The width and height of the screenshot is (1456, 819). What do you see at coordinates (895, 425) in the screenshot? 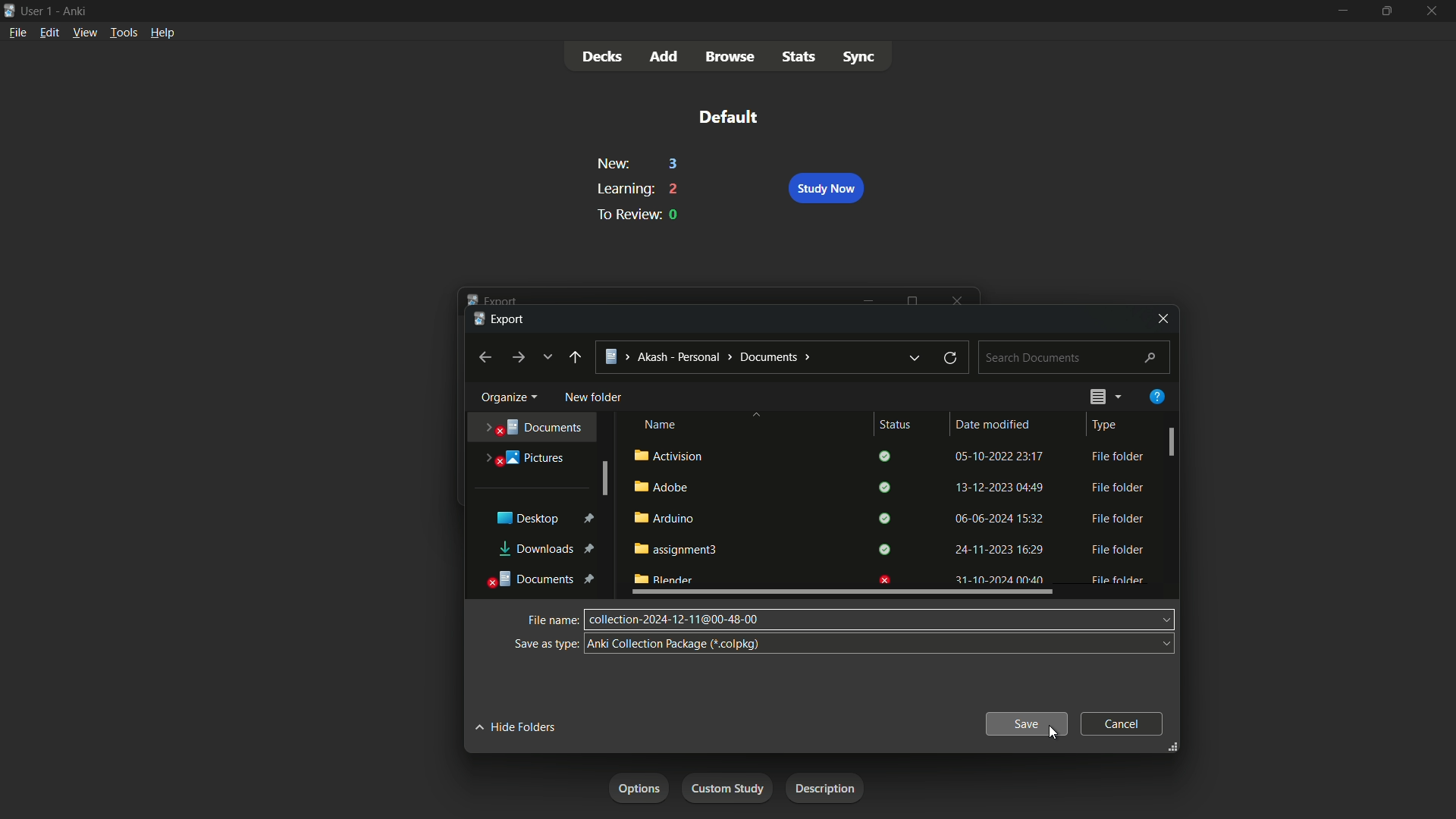
I see `status` at bounding box center [895, 425].